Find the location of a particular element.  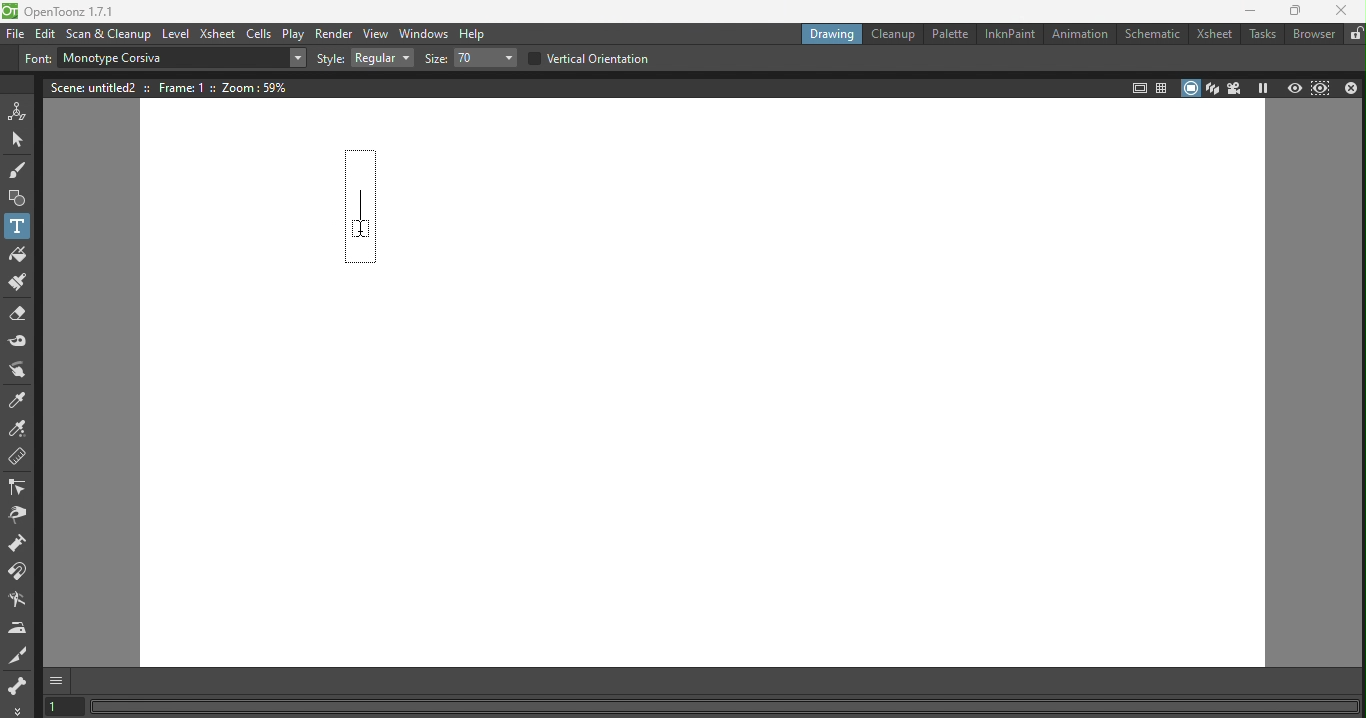

Blender tool is located at coordinates (21, 598).